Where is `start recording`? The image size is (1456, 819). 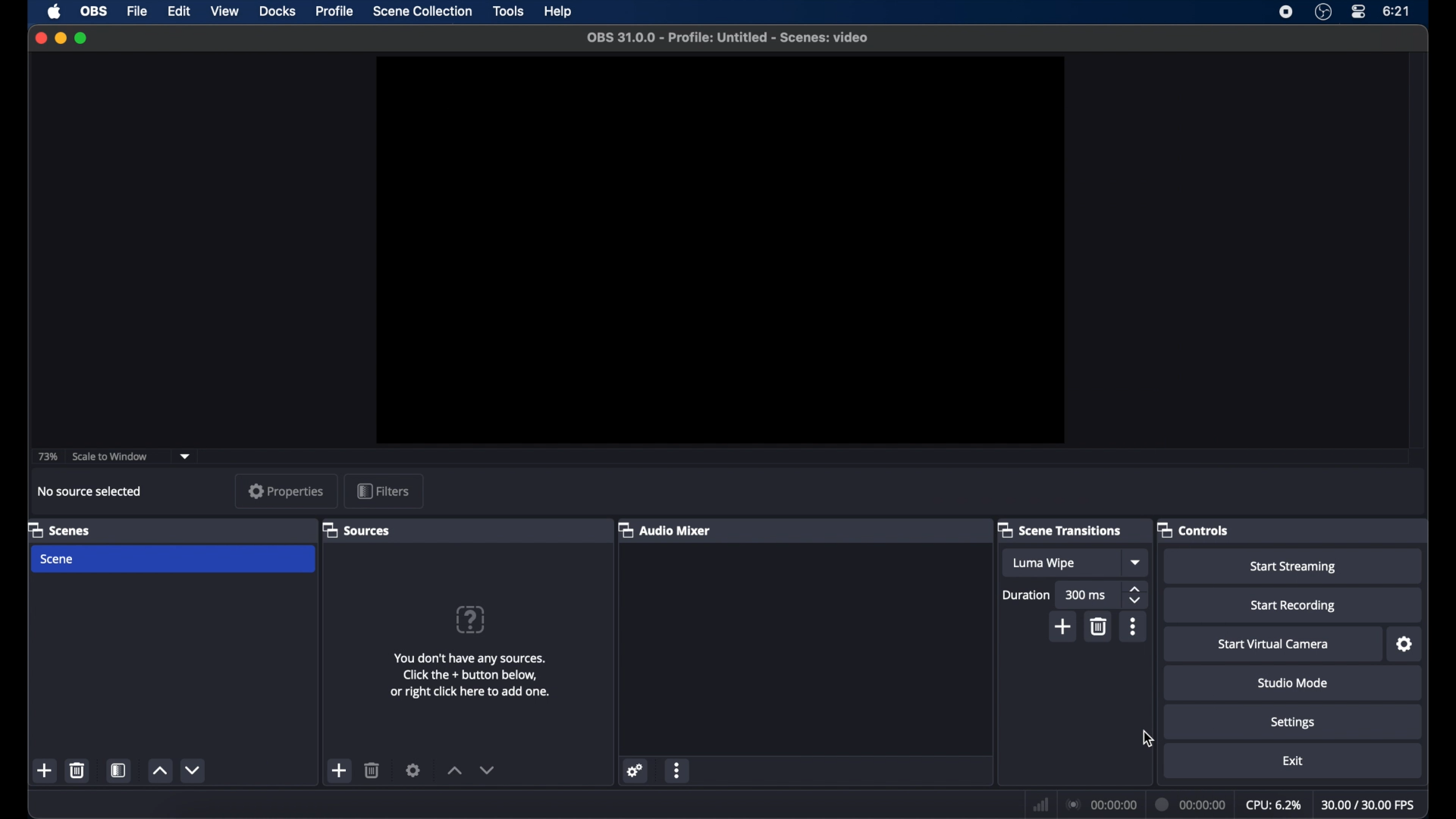
start recording is located at coordinates (1293, 606).